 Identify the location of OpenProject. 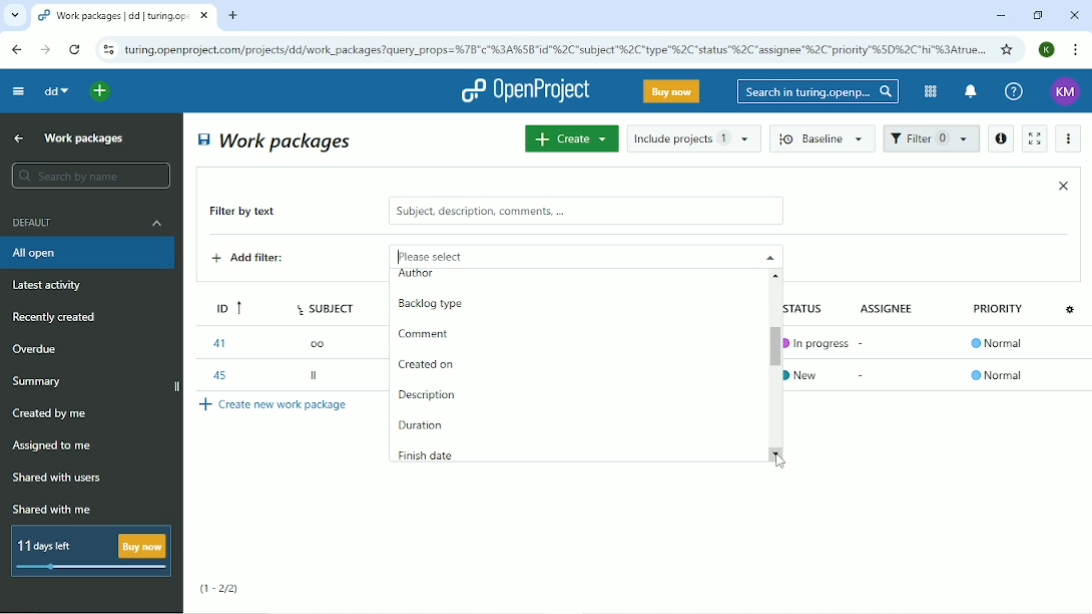
(525, 91).